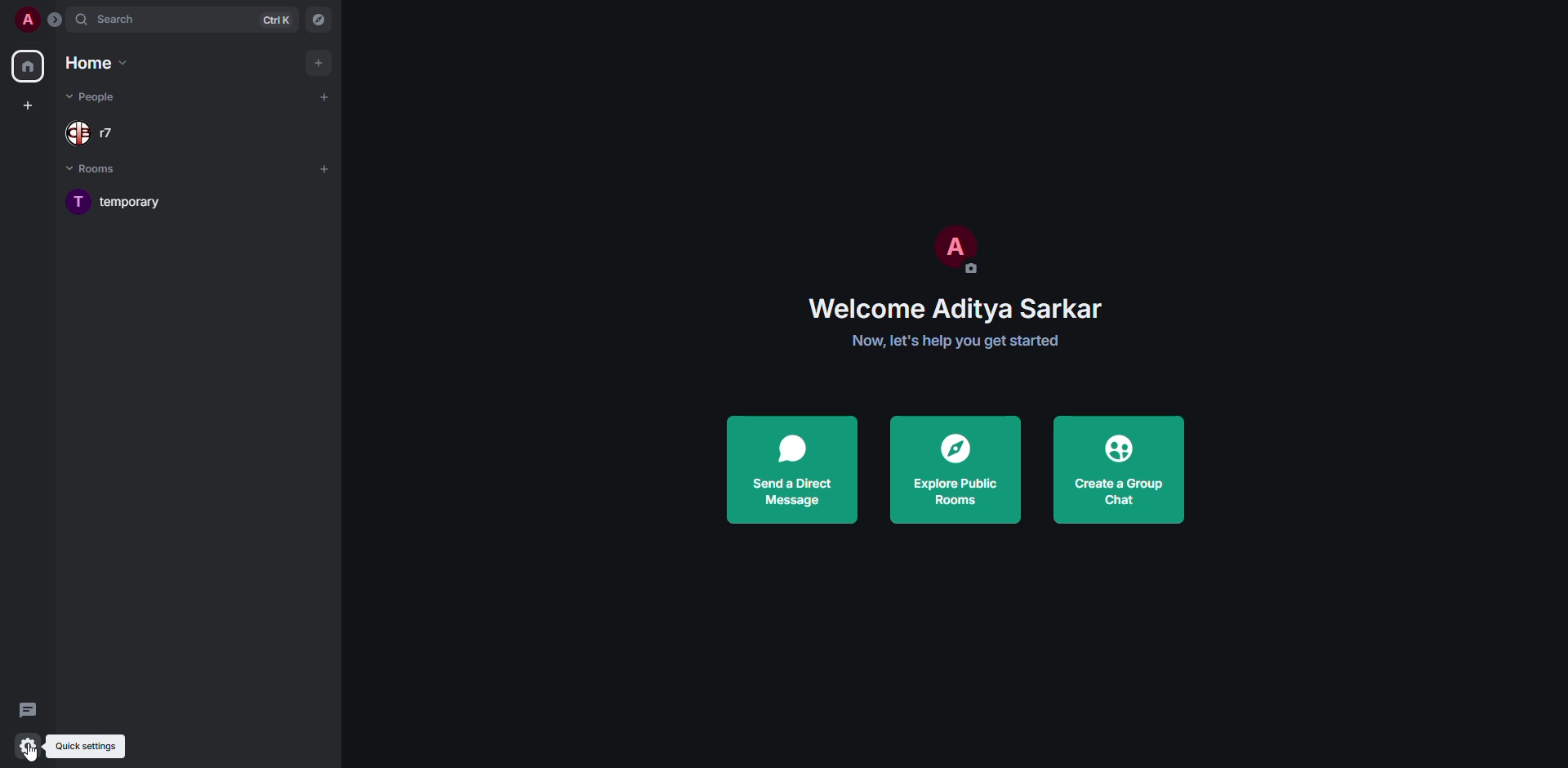 The width and height of the screenshot is (1568, 768). What do you see at coordinates (954, 470) in the screenshot?
I see `explore public rooms` at bounding box center [954, 470].